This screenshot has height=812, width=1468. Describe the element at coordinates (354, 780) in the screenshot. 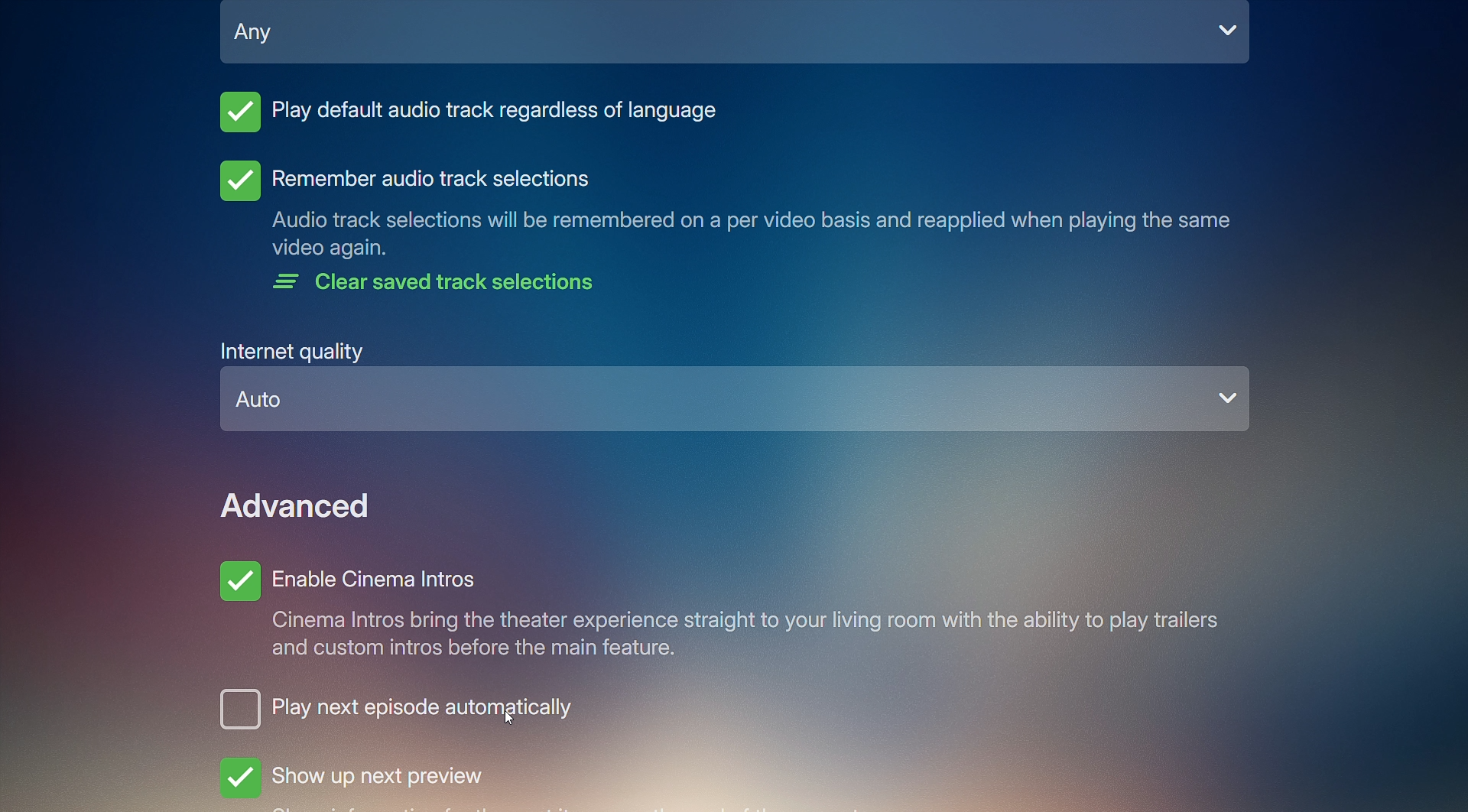

I see `Show up next preview` at that location.